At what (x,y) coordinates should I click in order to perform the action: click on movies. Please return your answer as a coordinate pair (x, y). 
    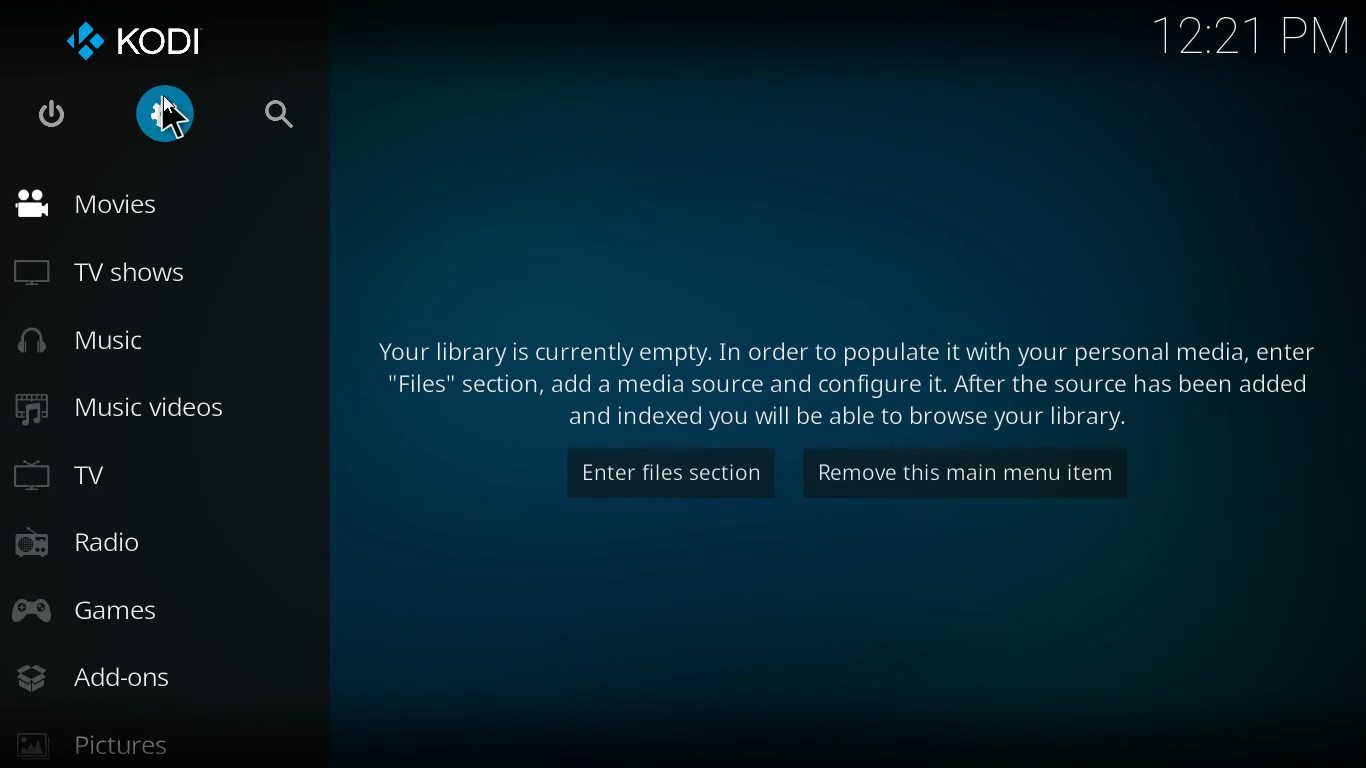
    Looking at the image, I should click on (152, 207).